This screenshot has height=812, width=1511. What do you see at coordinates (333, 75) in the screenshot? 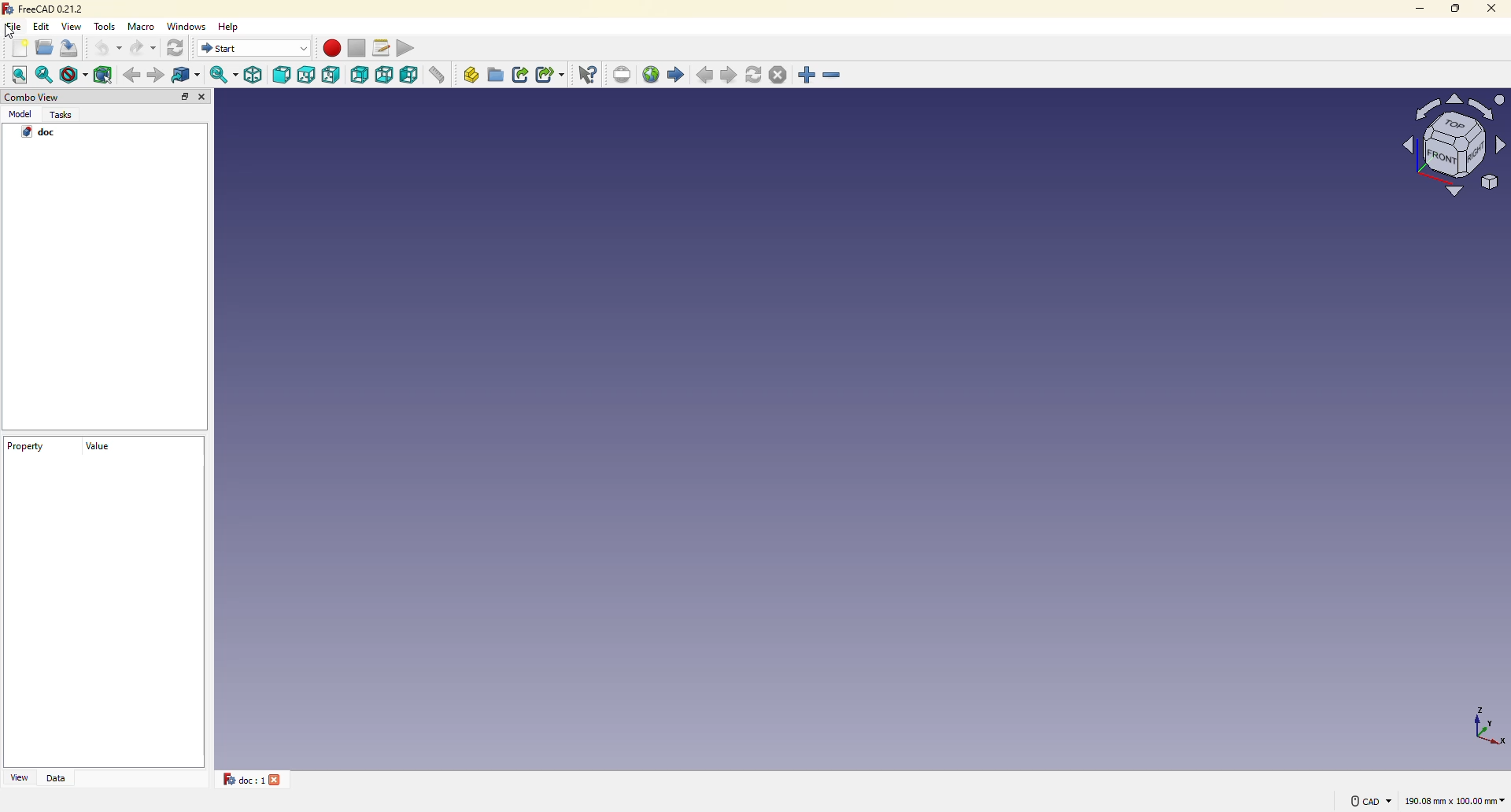
I see `right` at bounding box center [333, 75].